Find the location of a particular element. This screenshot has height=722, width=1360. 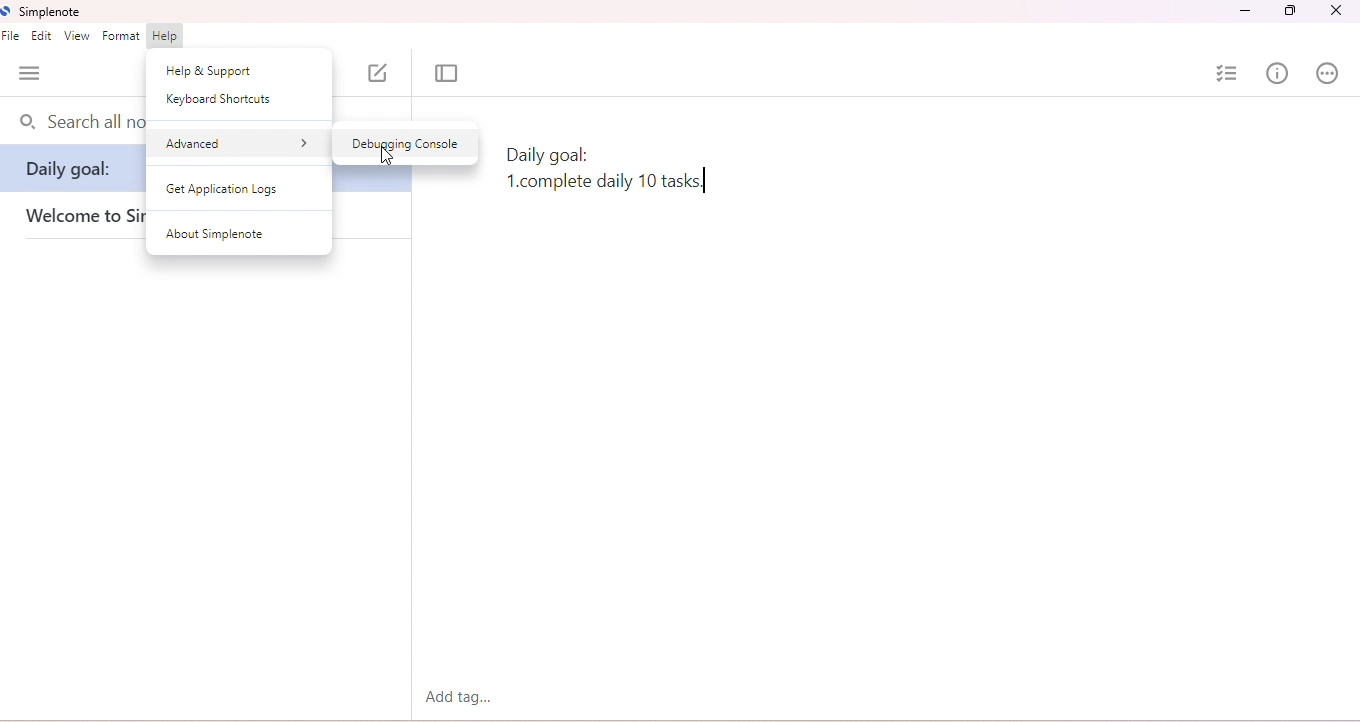

close is located at coordinates (1337, 12).